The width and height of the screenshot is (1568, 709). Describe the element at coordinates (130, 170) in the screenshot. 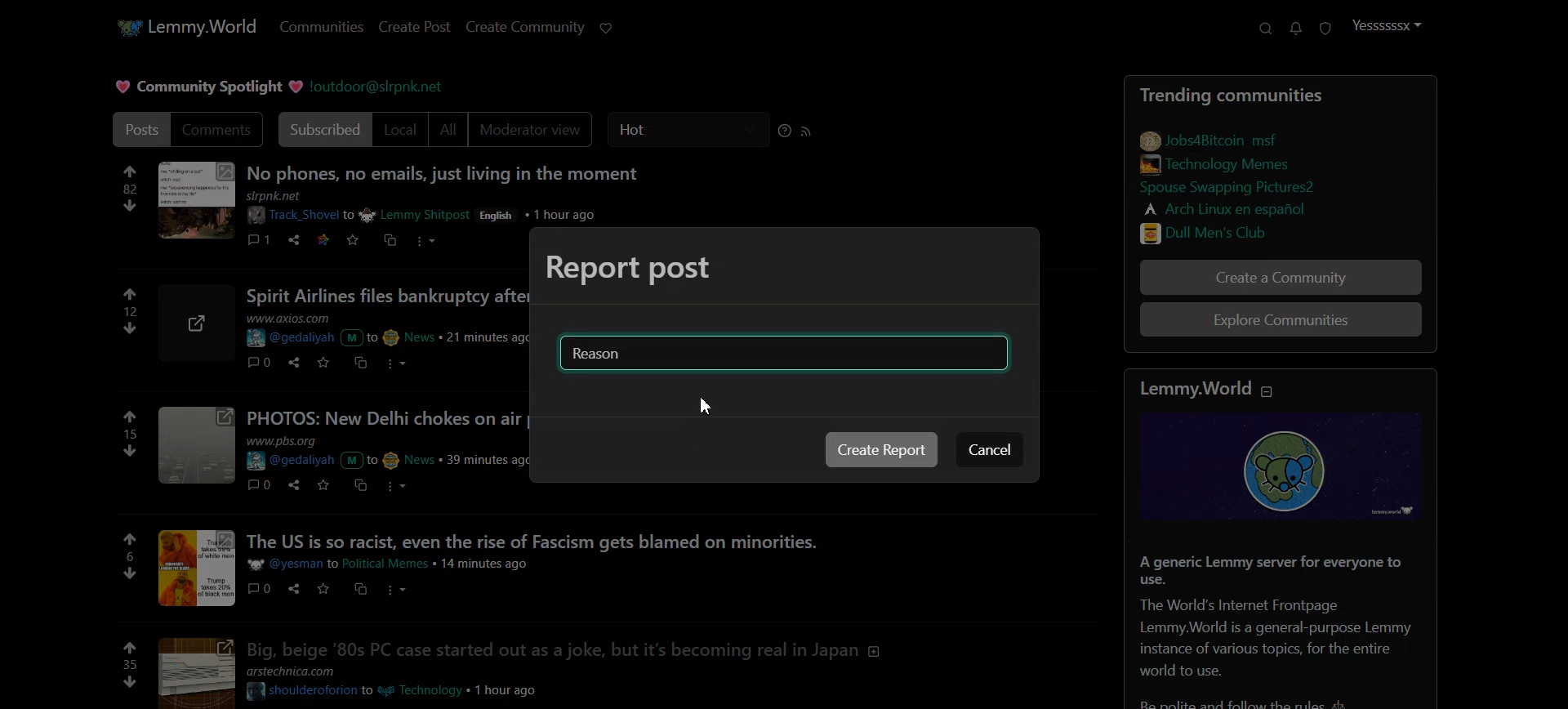

I see `upvote` at that location.